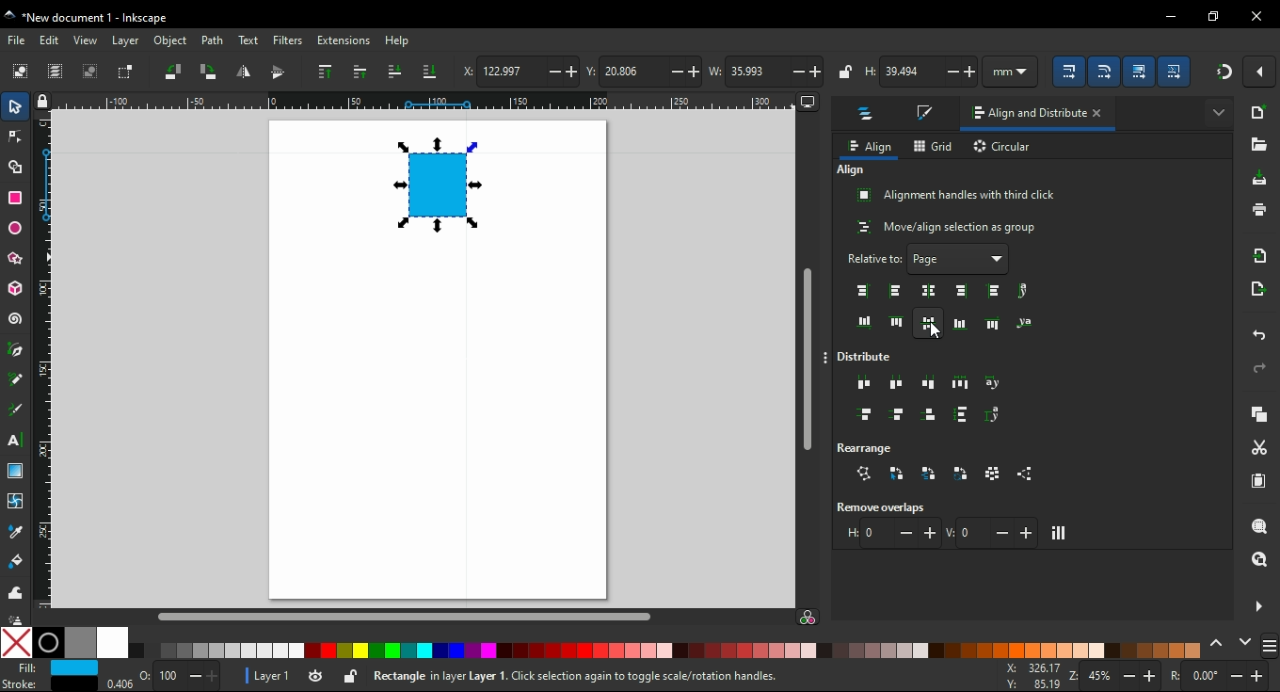 The width and height of the screenshot is (1280, 692). Describe the element at coordinates (894, 291) in the screenshot. I see `align left edges` at that location.